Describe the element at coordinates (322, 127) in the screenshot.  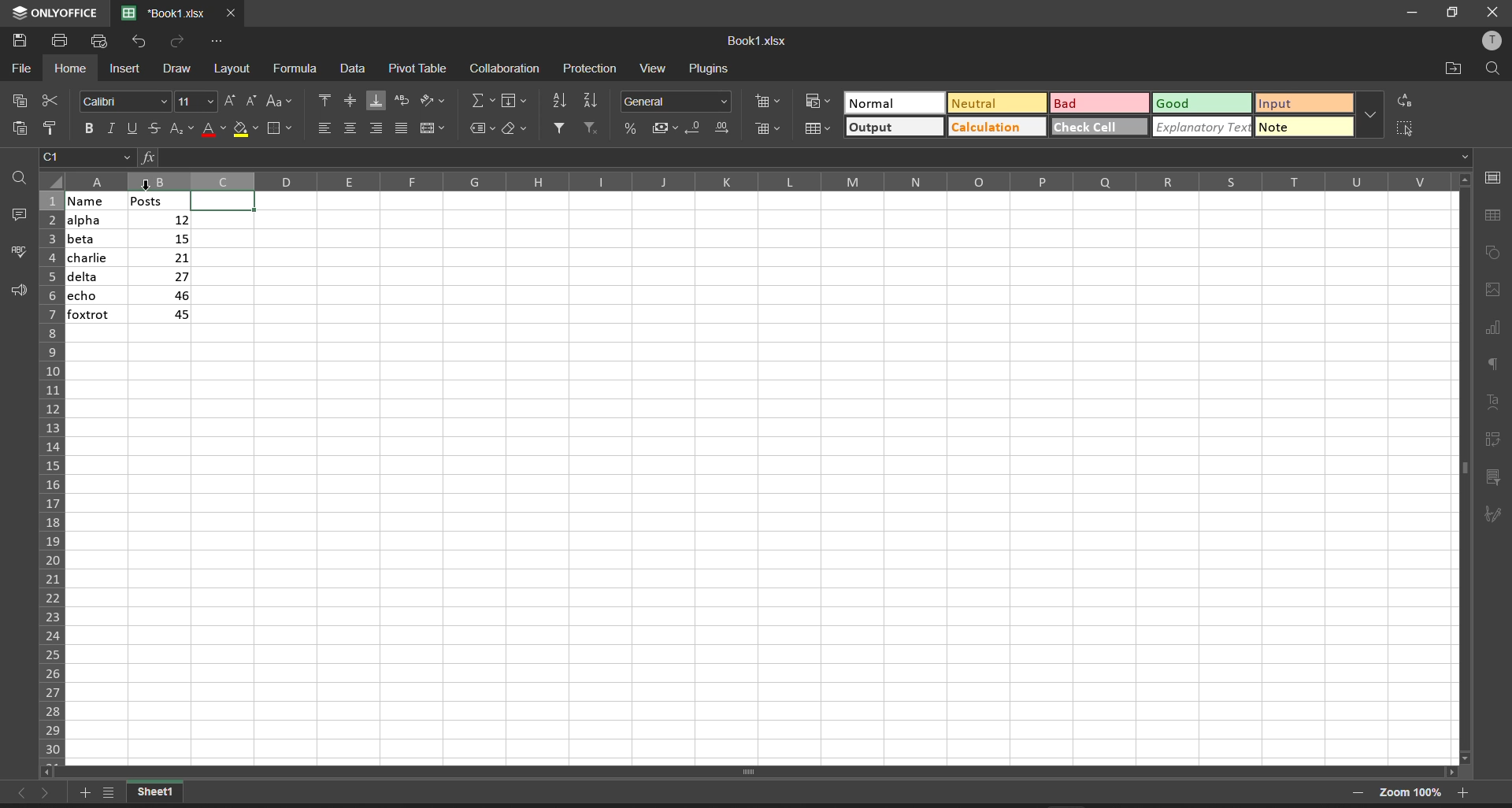
I see `align left` at that location.